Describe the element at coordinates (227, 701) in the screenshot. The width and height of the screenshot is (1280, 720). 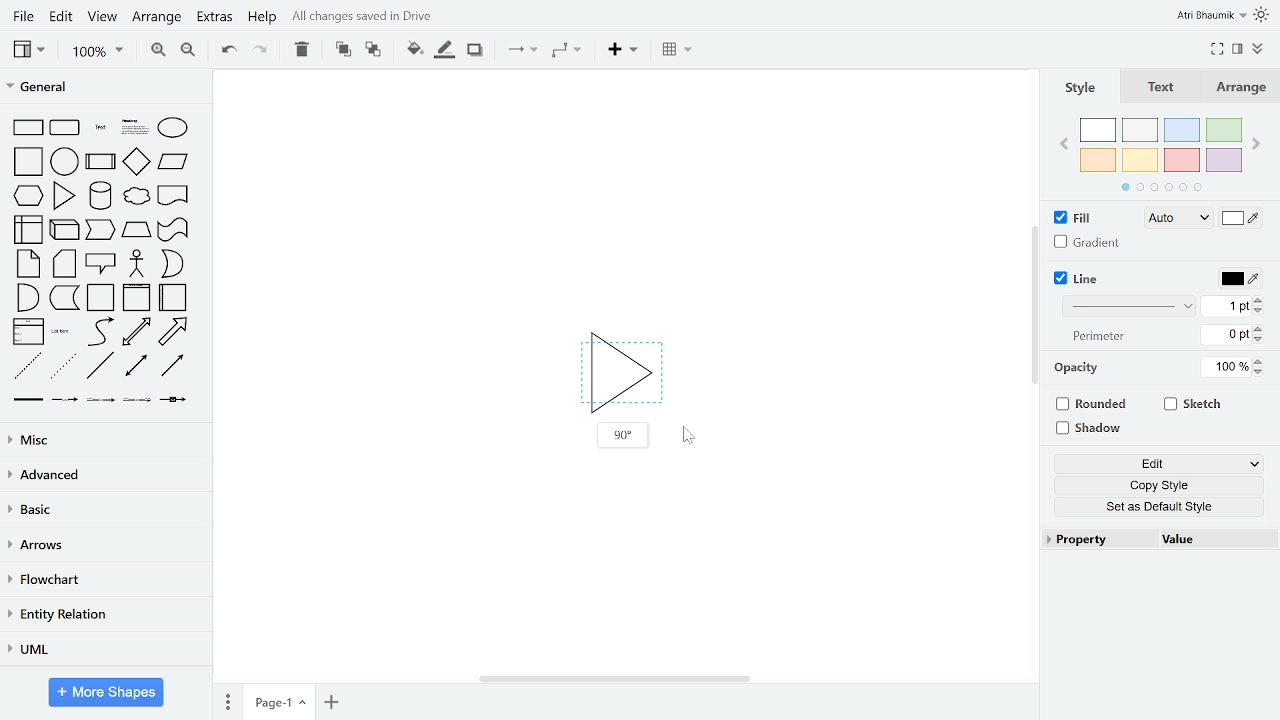
I see `pages` at that location.